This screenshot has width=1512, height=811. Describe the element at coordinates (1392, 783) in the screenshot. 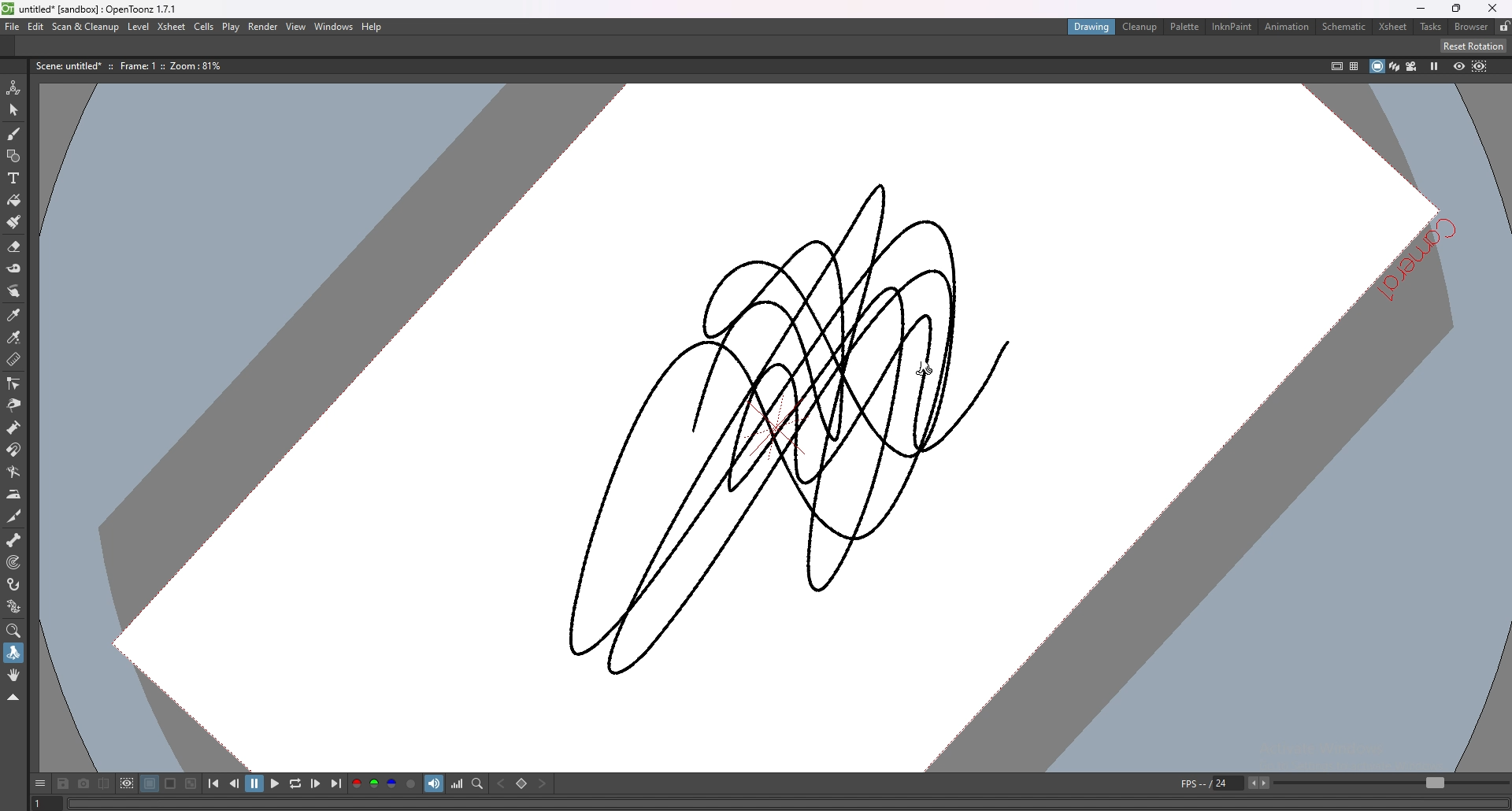

I see `fps bar` at that location.